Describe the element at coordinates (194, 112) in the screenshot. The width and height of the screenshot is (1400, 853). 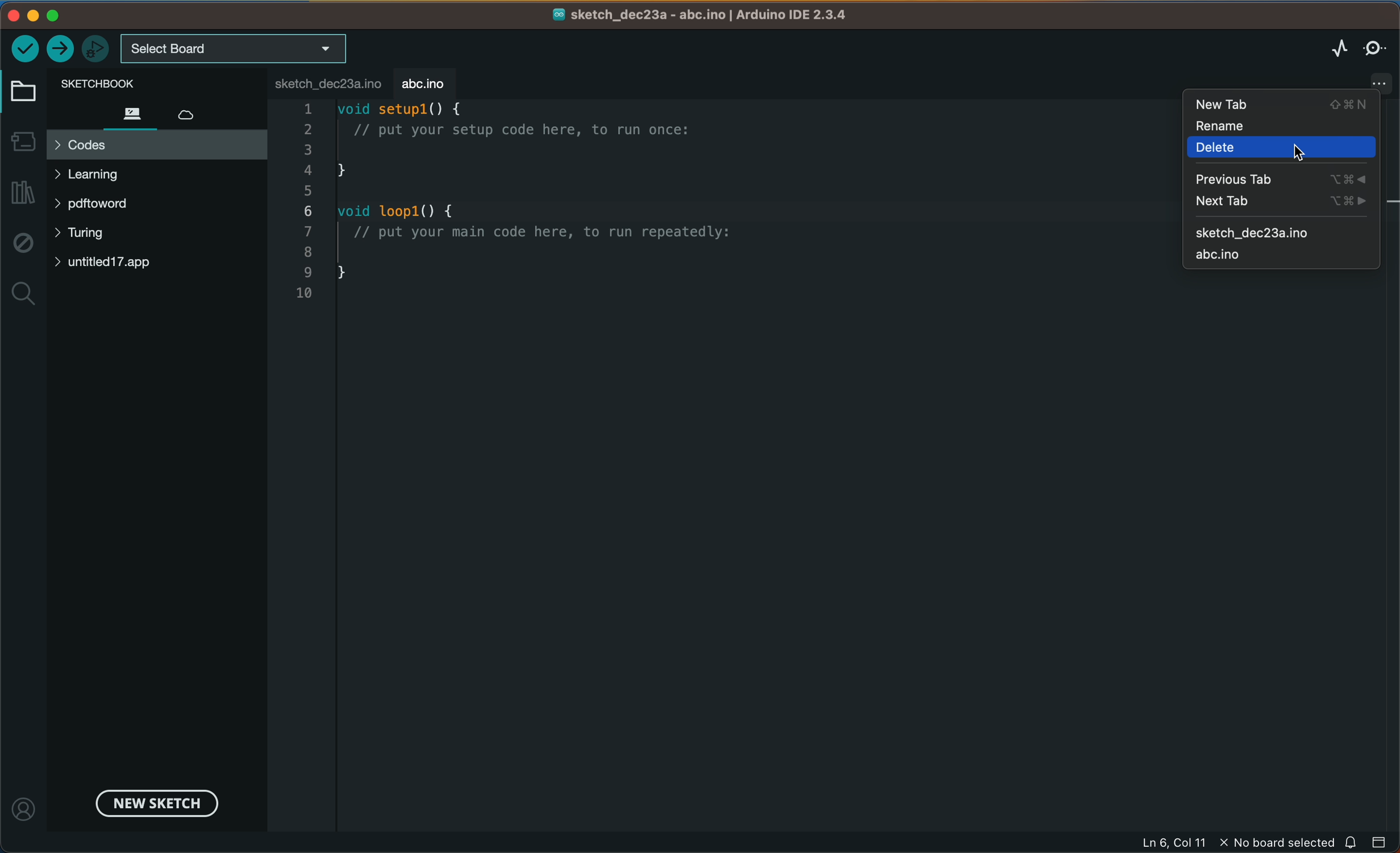
I see `cloud` at that location.